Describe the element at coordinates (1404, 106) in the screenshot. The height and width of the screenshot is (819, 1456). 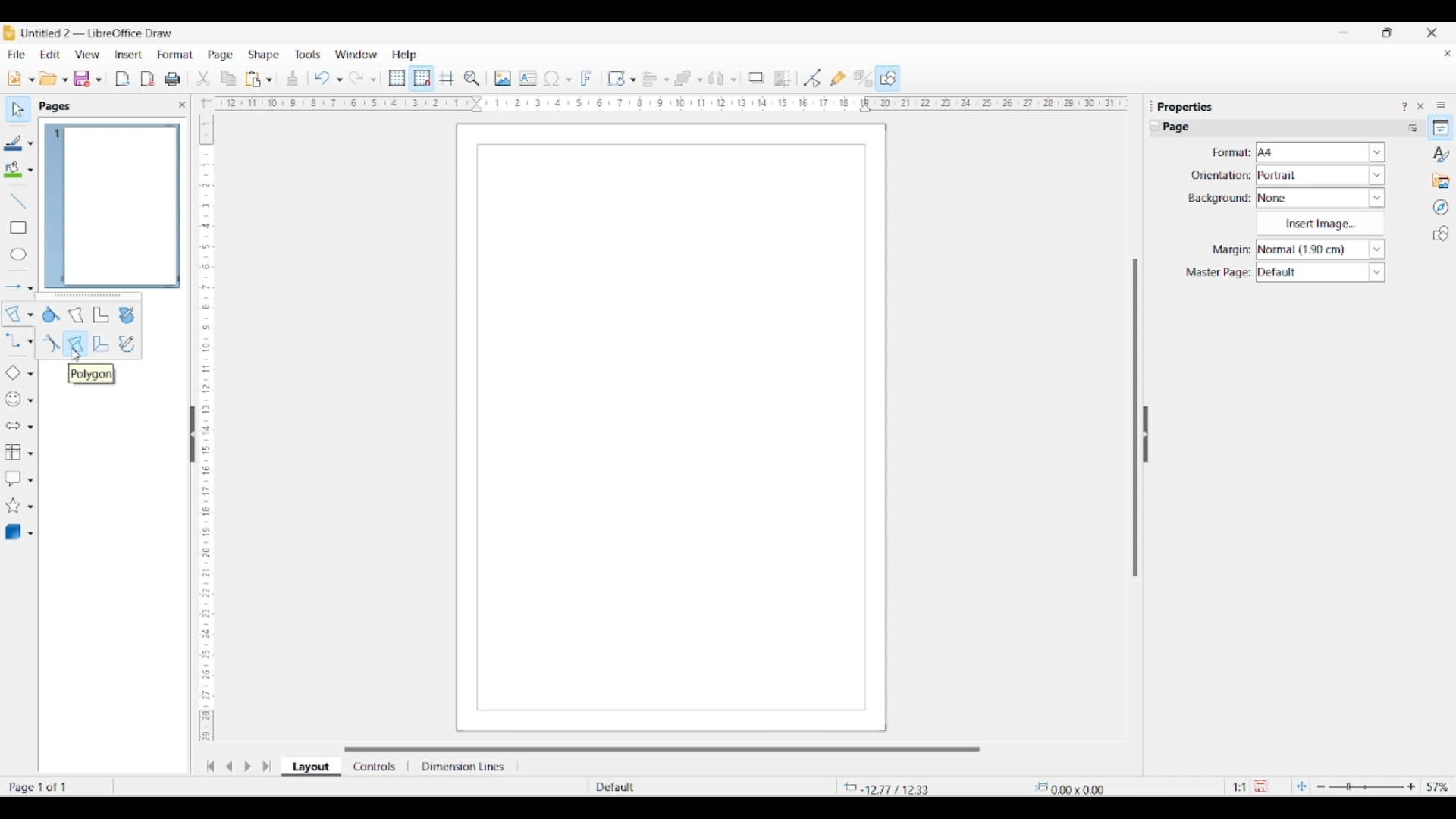
I see `Help about this sidebar` at that location.